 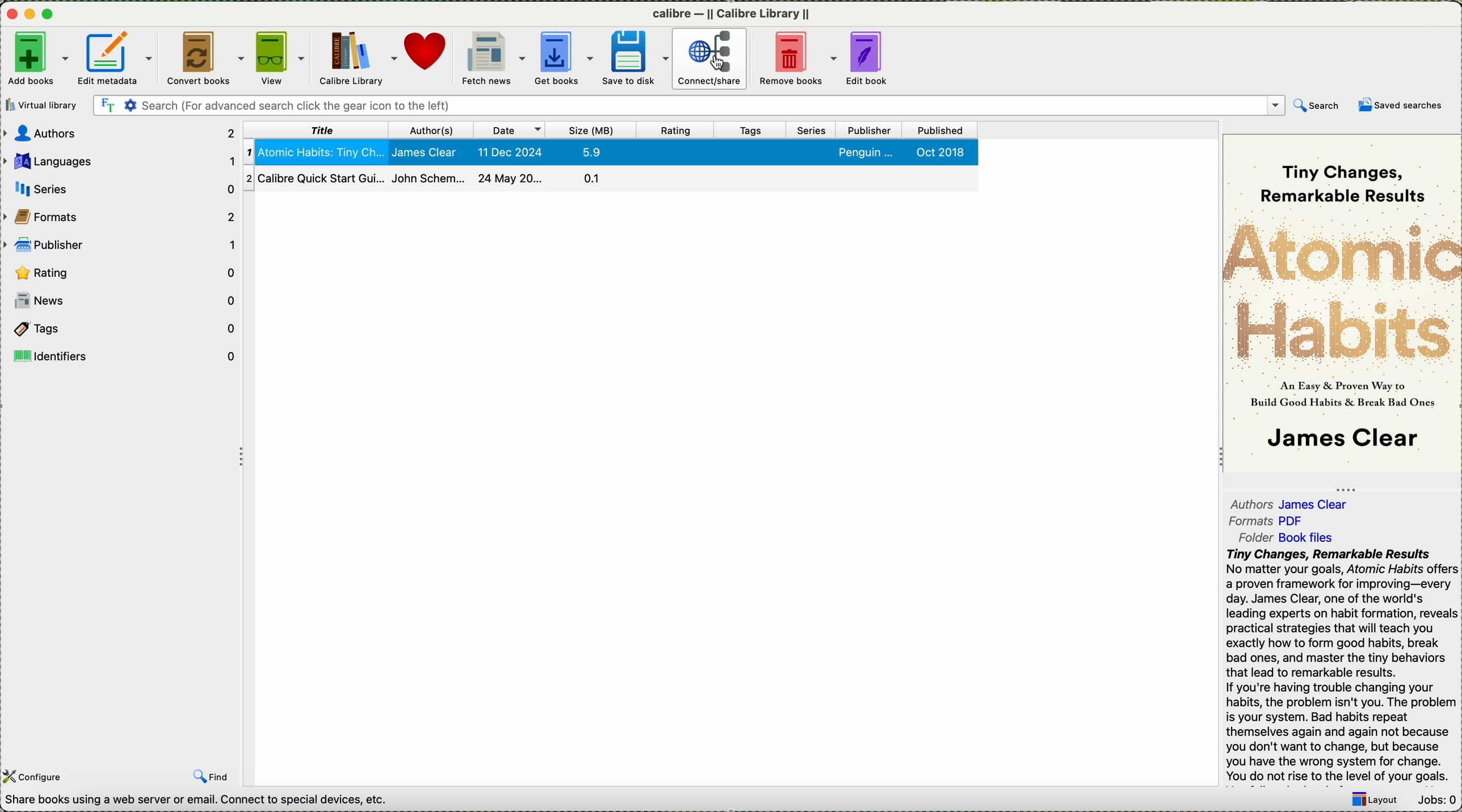 I want to click on minimize, so click(x=33, y=15).